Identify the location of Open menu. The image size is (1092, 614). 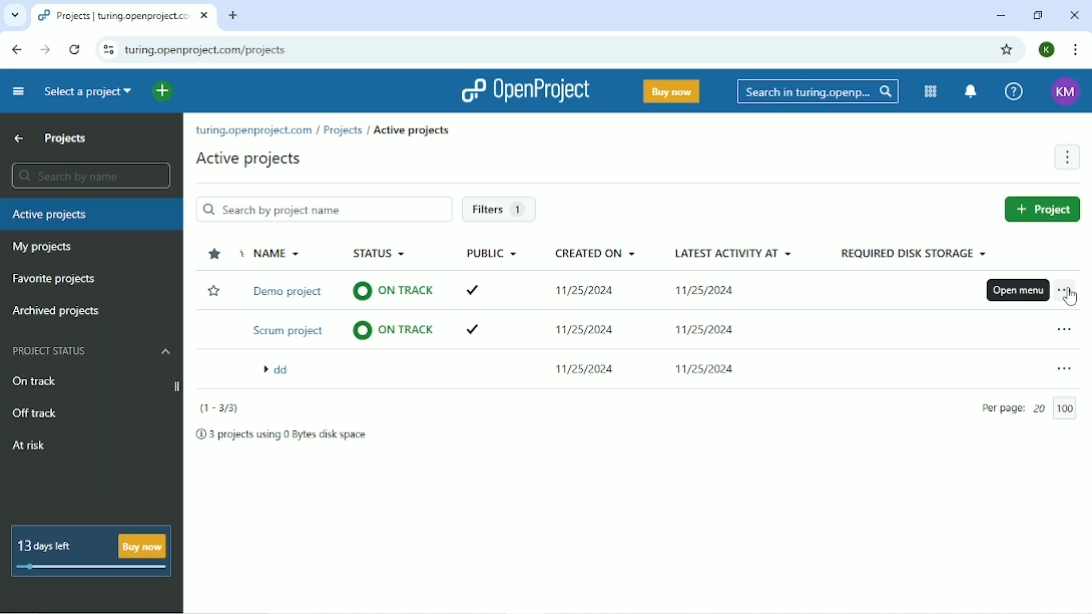
(1067, 369).